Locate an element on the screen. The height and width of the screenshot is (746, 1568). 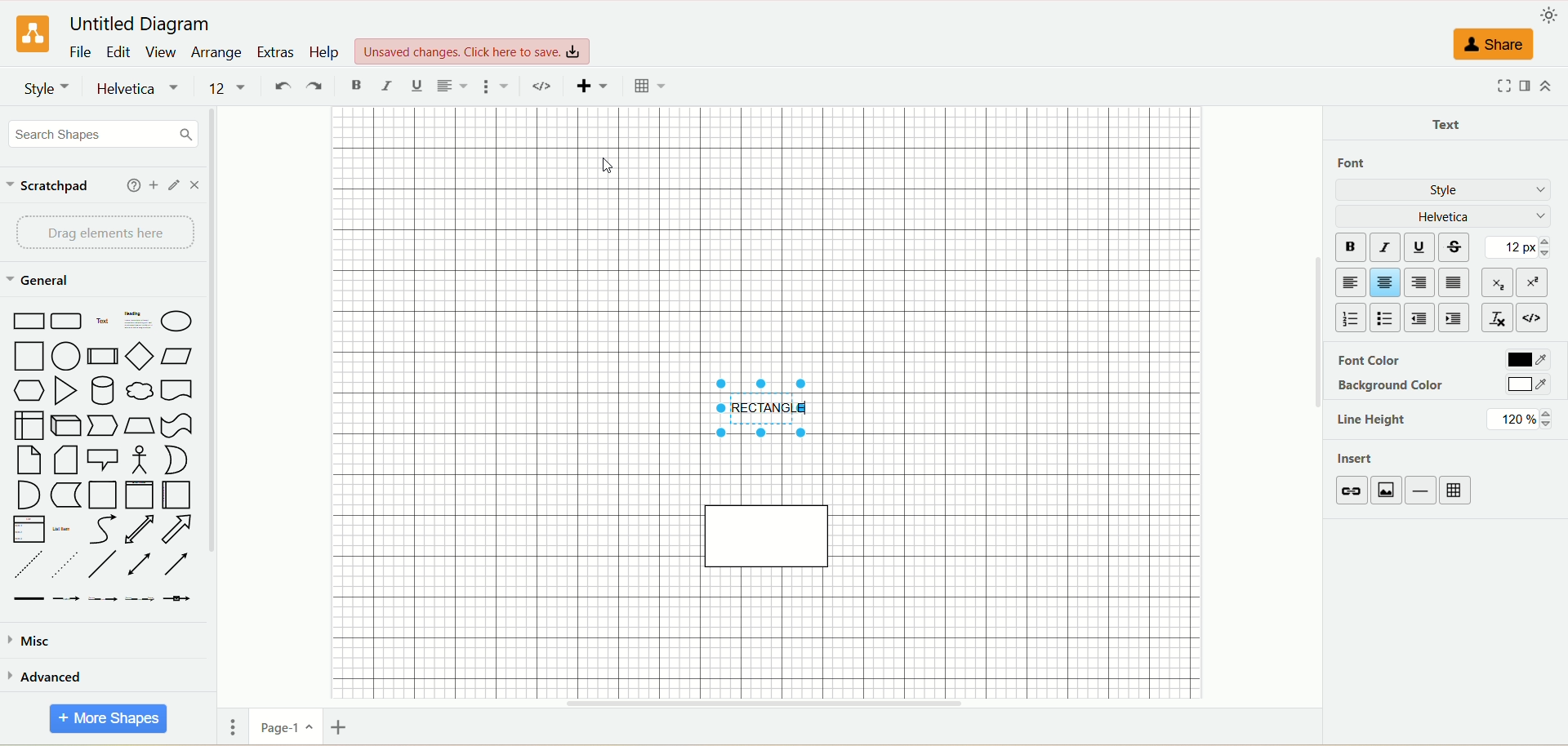
size is located at coordinates (1520, 246).